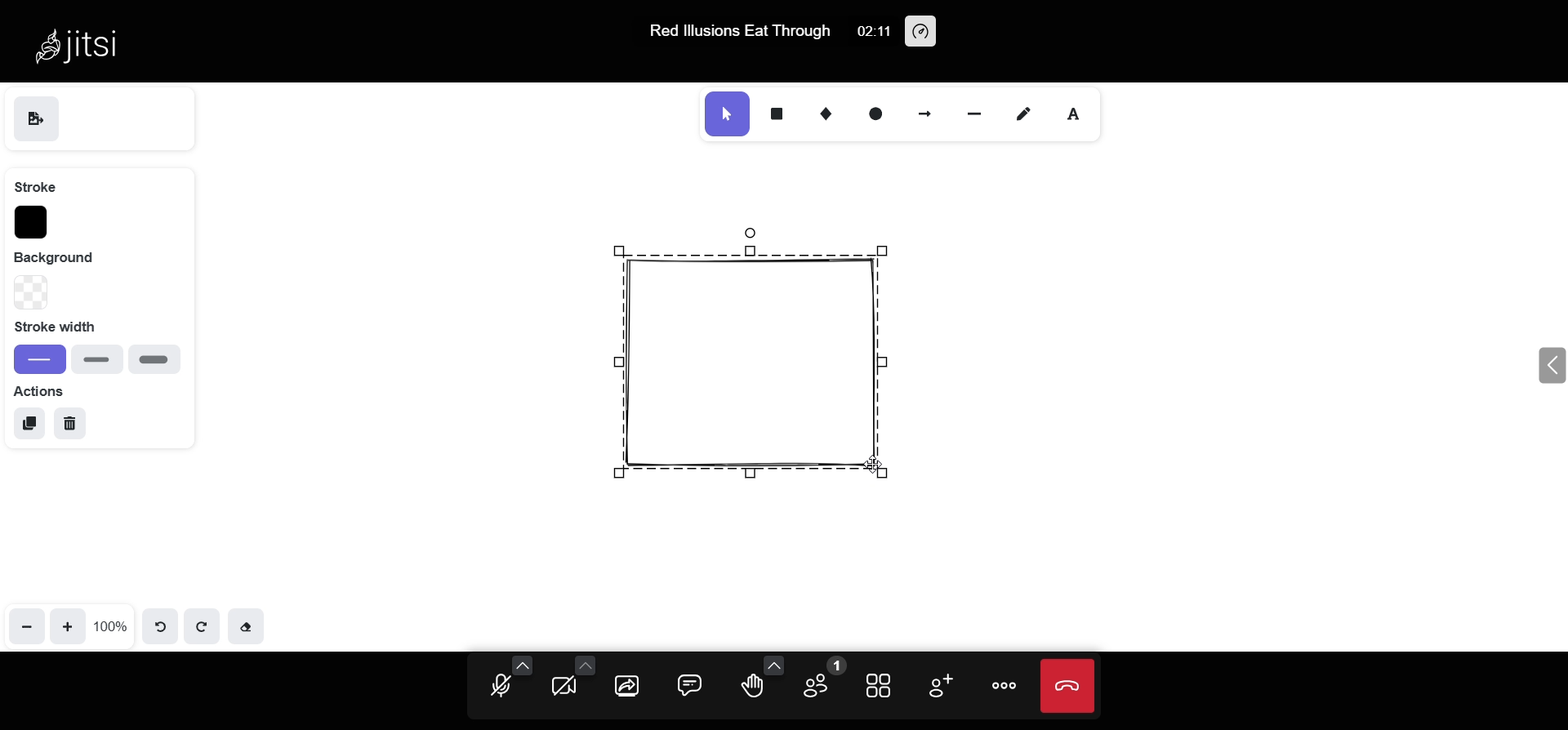  Describe the element at coordinates (565, 689) in the screenshot. I see `camera` at that location.